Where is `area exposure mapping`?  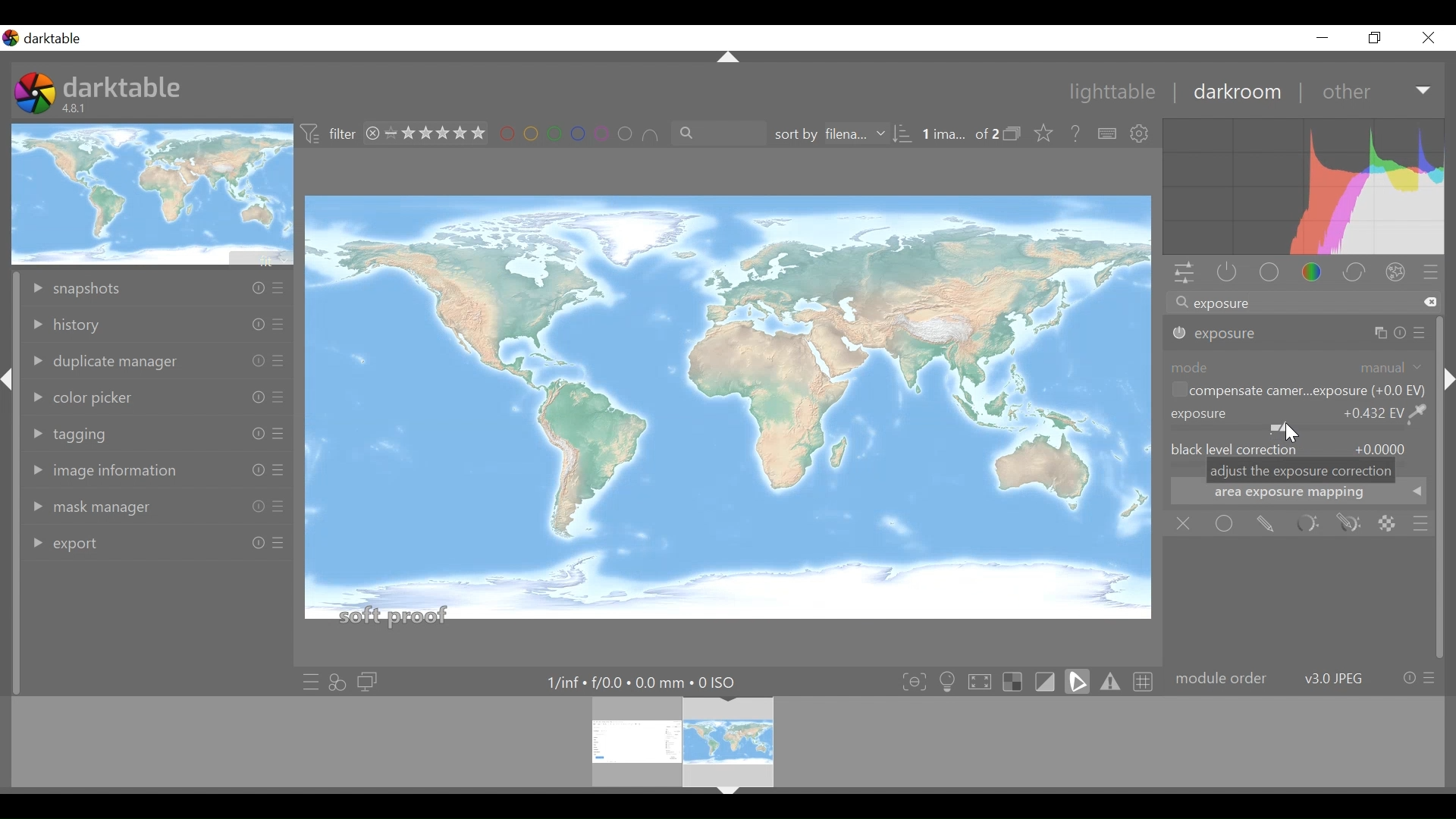 area exposure mapping is located at coordinates (1299, 495).